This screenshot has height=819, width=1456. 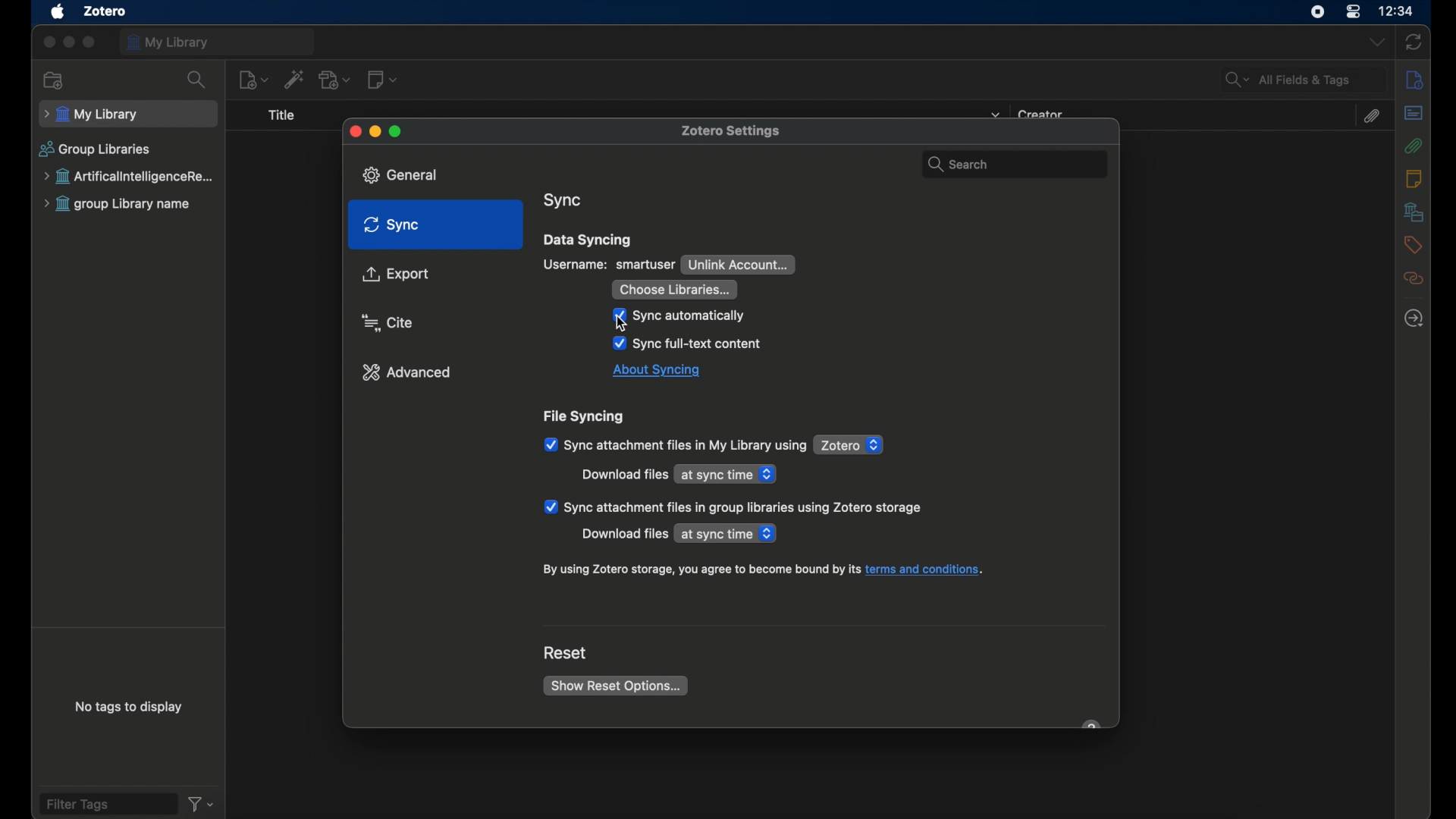 What do you see at coordinates (90, 42) in the screenshot?
I see `maximize` at bounding box center [90, 42].